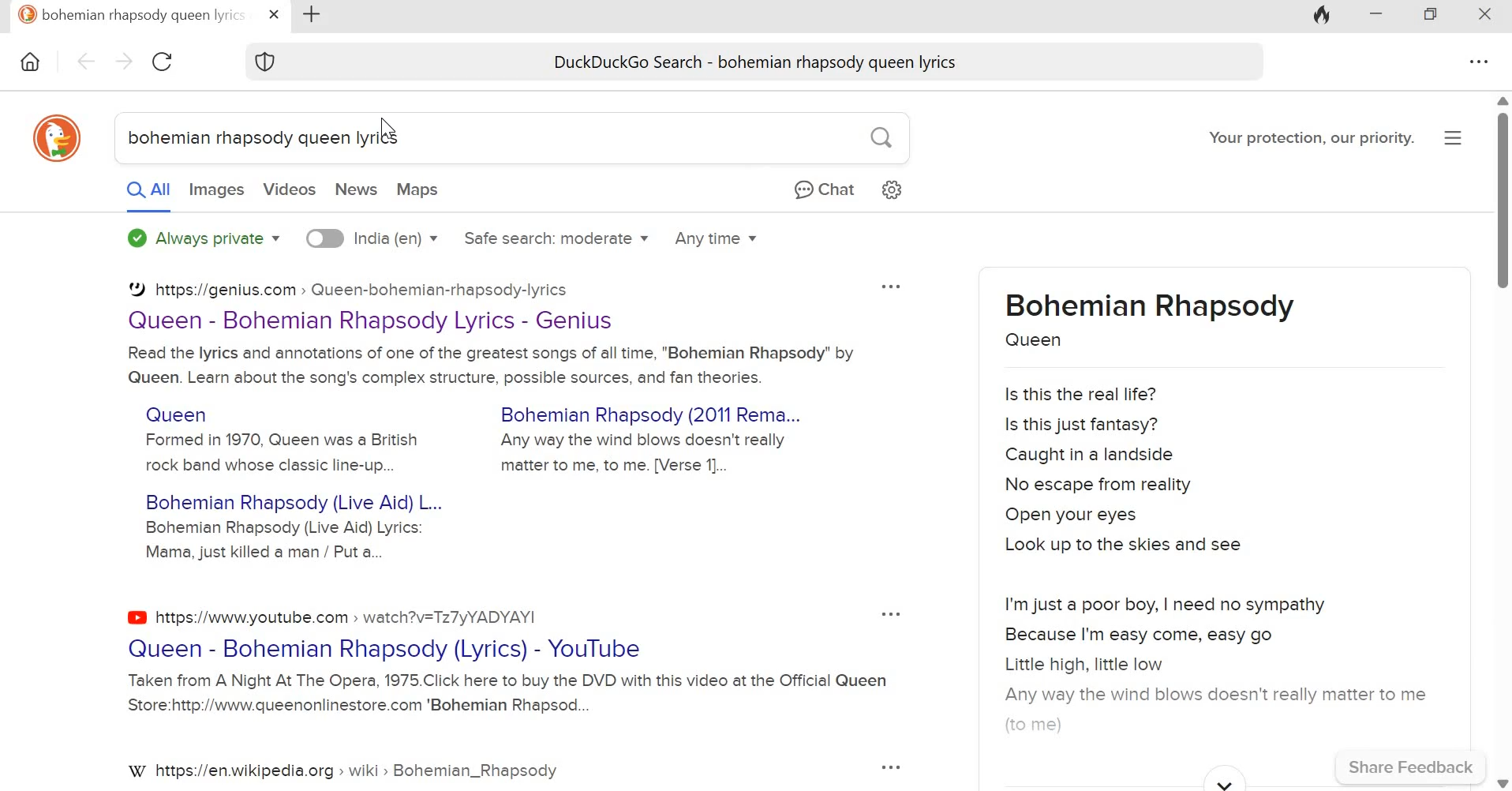  Describe the element at coordinates (749, 62) in the screenshot. I see `DuckDuckGo Search - bohemian rhapsody queen lyrics` at that location.